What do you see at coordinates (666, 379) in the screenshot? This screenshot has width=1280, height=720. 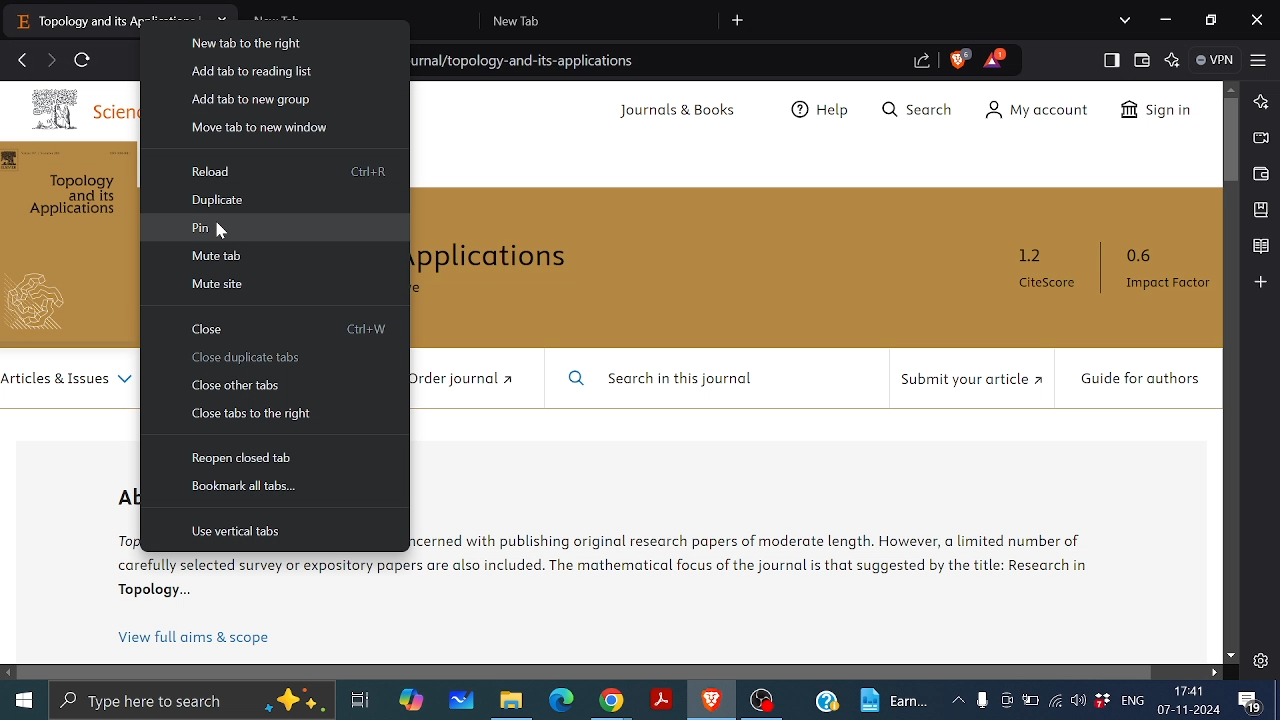 I see `Search in this journal` at bounding box center [666, 379].